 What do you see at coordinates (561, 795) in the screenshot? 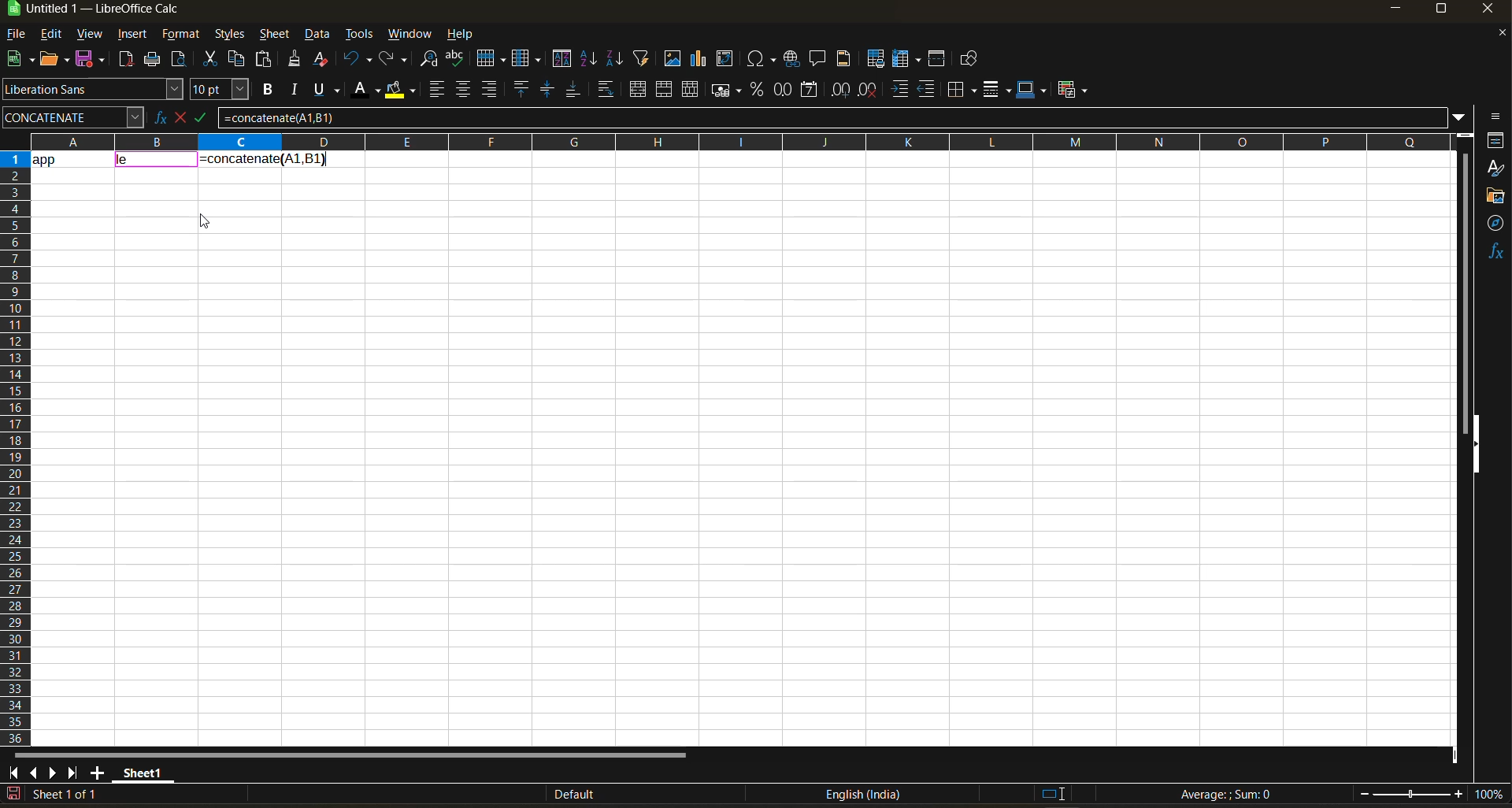
I see `Default` at bounding box center [561, 795].